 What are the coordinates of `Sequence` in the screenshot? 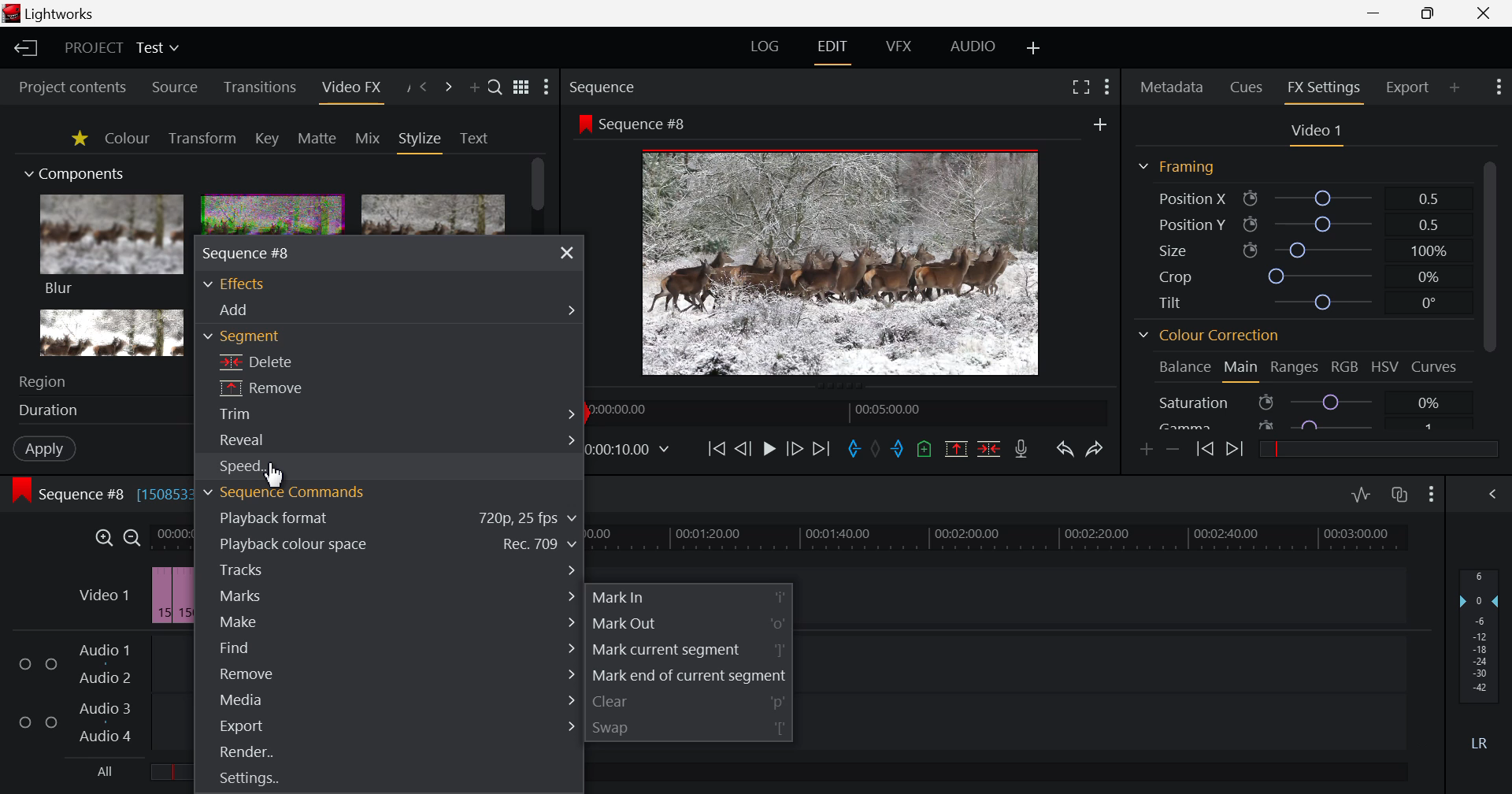 It's located at (632, 86).